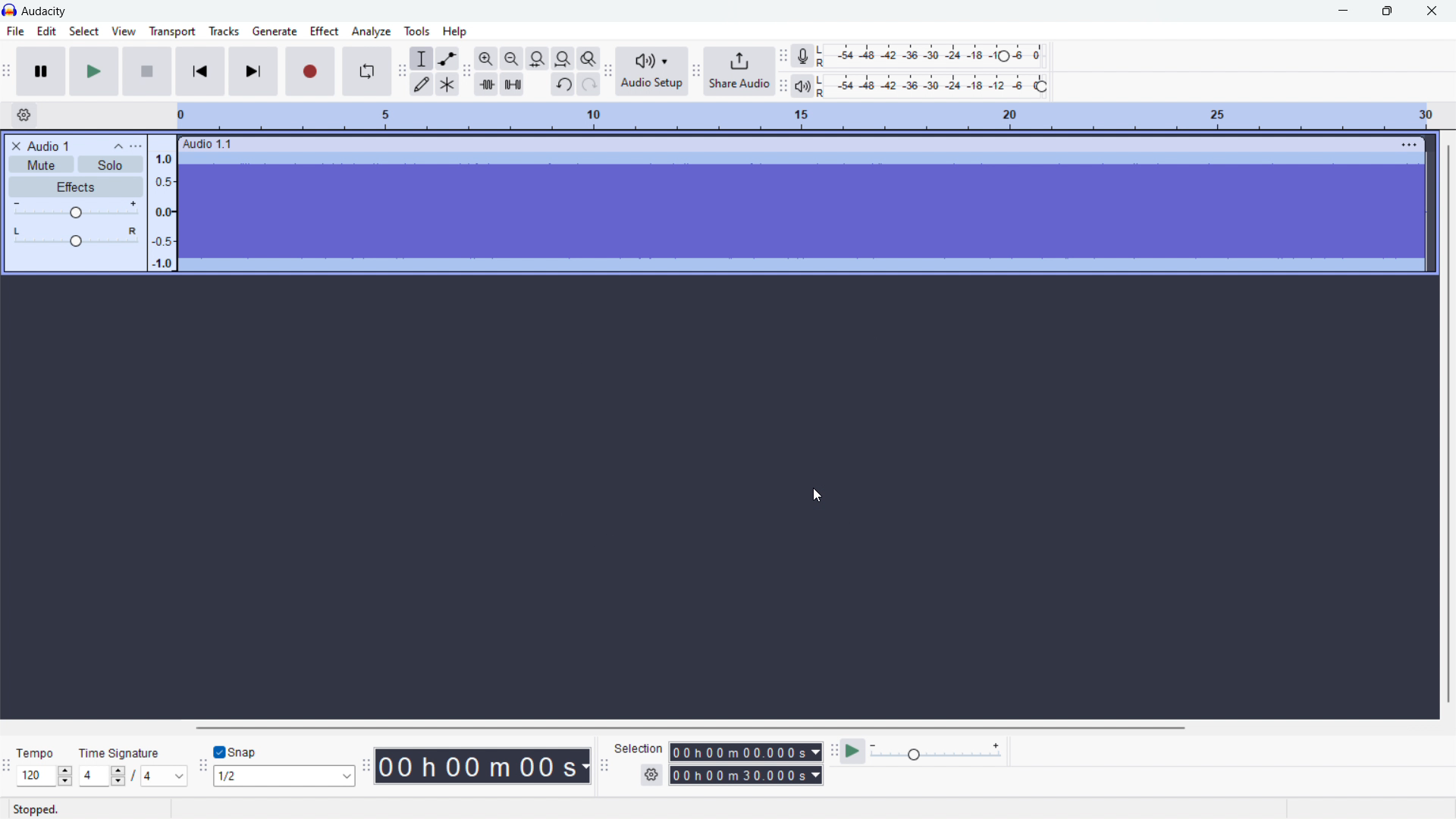 This screenshot has height=819, width=1456. Describe the element at coordinates (76, 187) in the screenshot. I see `effects` at that location.